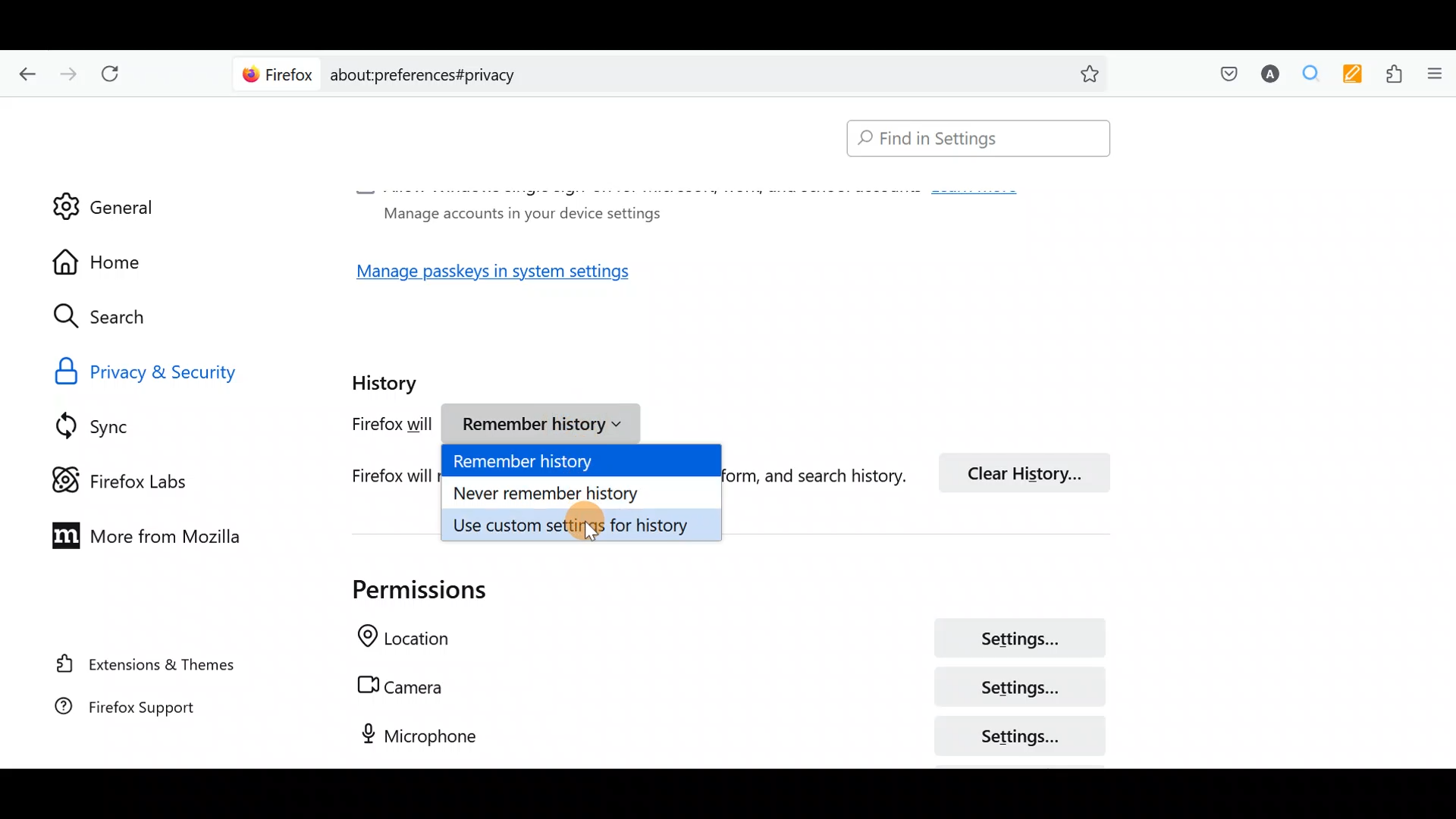 Image resolution: width=1456 pixels, height=819 pixels. What do you see at coordinates (517, 212) in the screenshot?
I see `Manage accounts in your device settings` at bounding box center [517, 212].